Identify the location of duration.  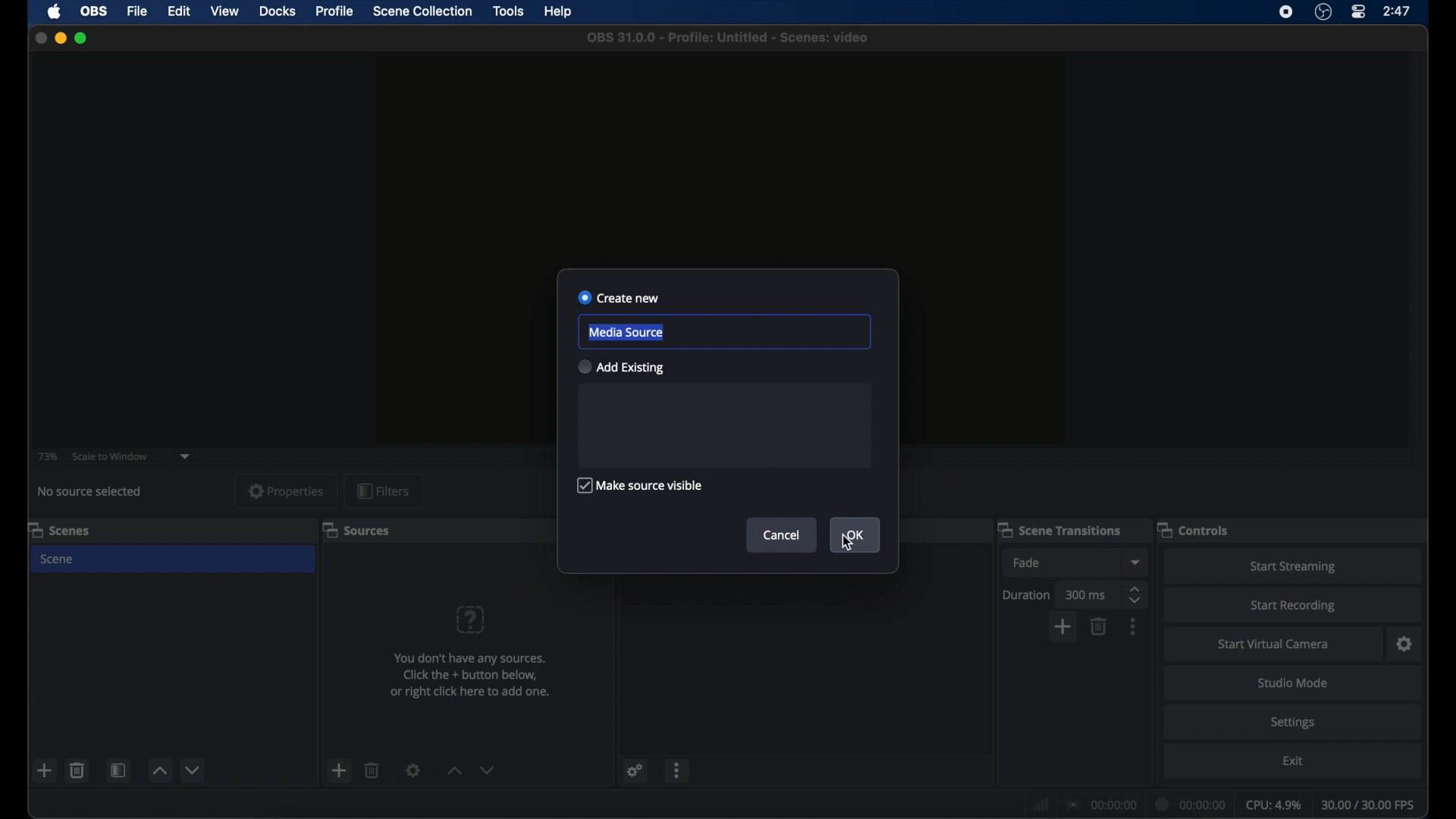
(1191, 804).